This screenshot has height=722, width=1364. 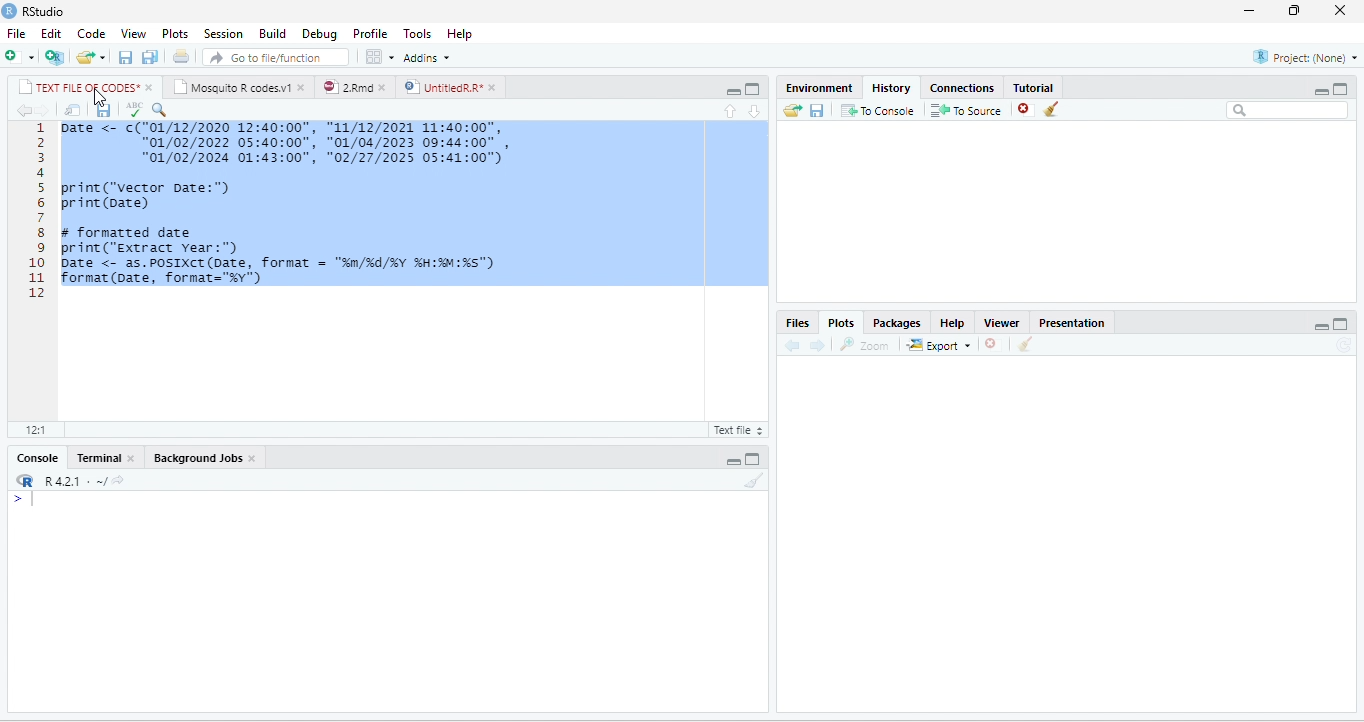 What do you see at coordinates (180, 56) in the screenshot?
I see `print` at bounding box center [180, 56].